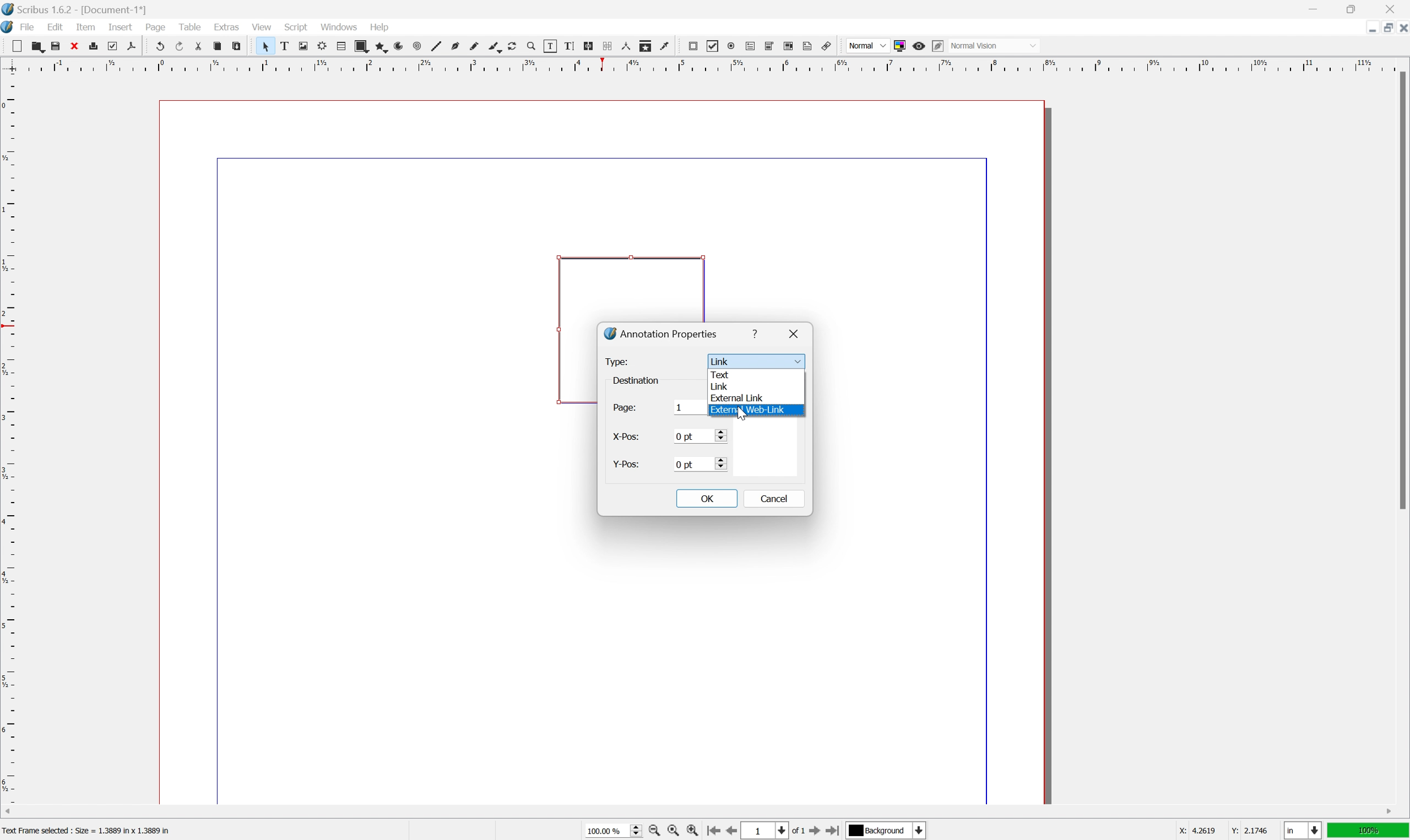 The width and height of the screenshot is (1410, 840). I want to click on external link, so click(738, 397).